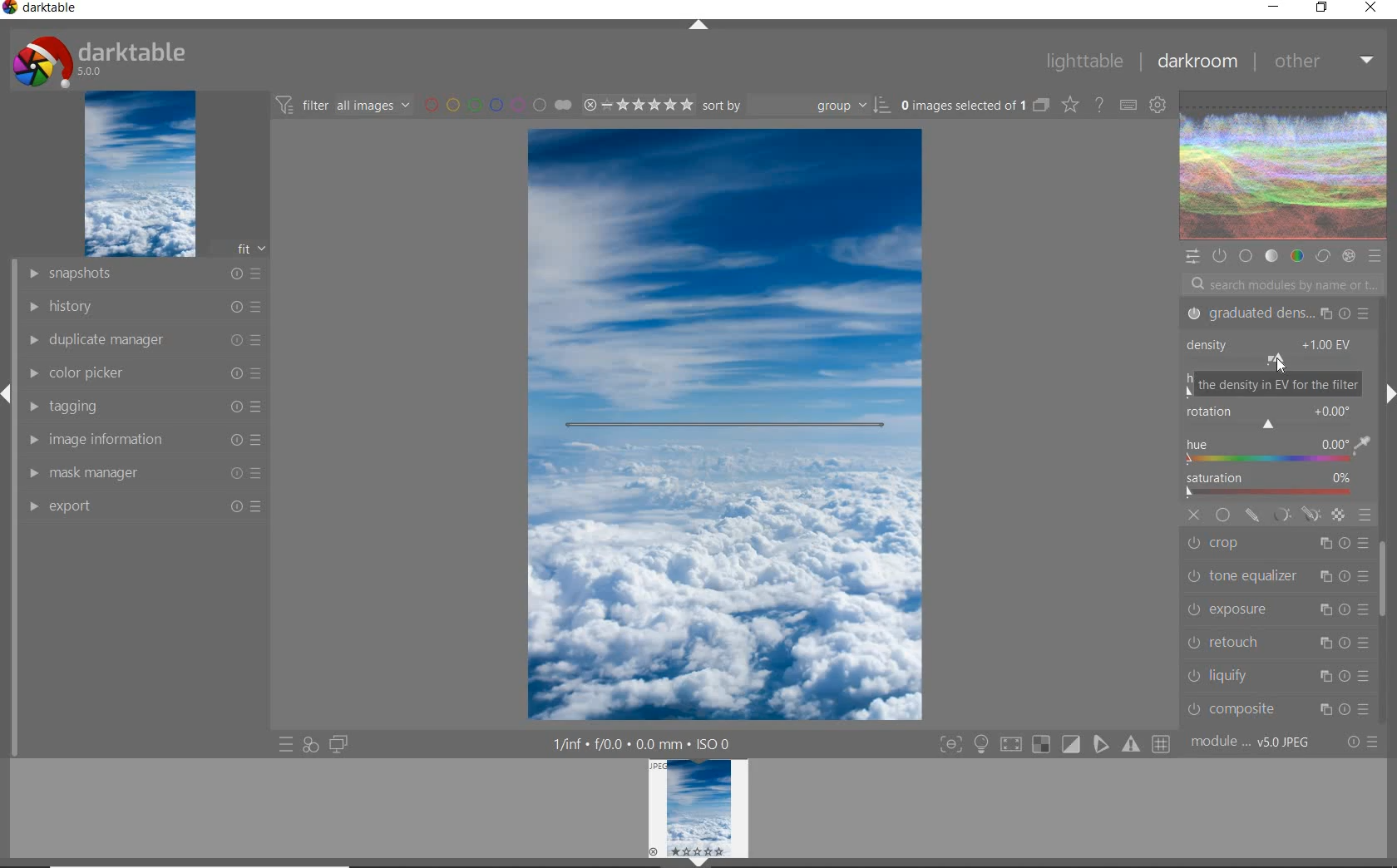  What do you see at coordinates (635, 102) in the screenshot?
I see `SELECTED IMAGE RANGE RATING` at bounding box center [635, 102].